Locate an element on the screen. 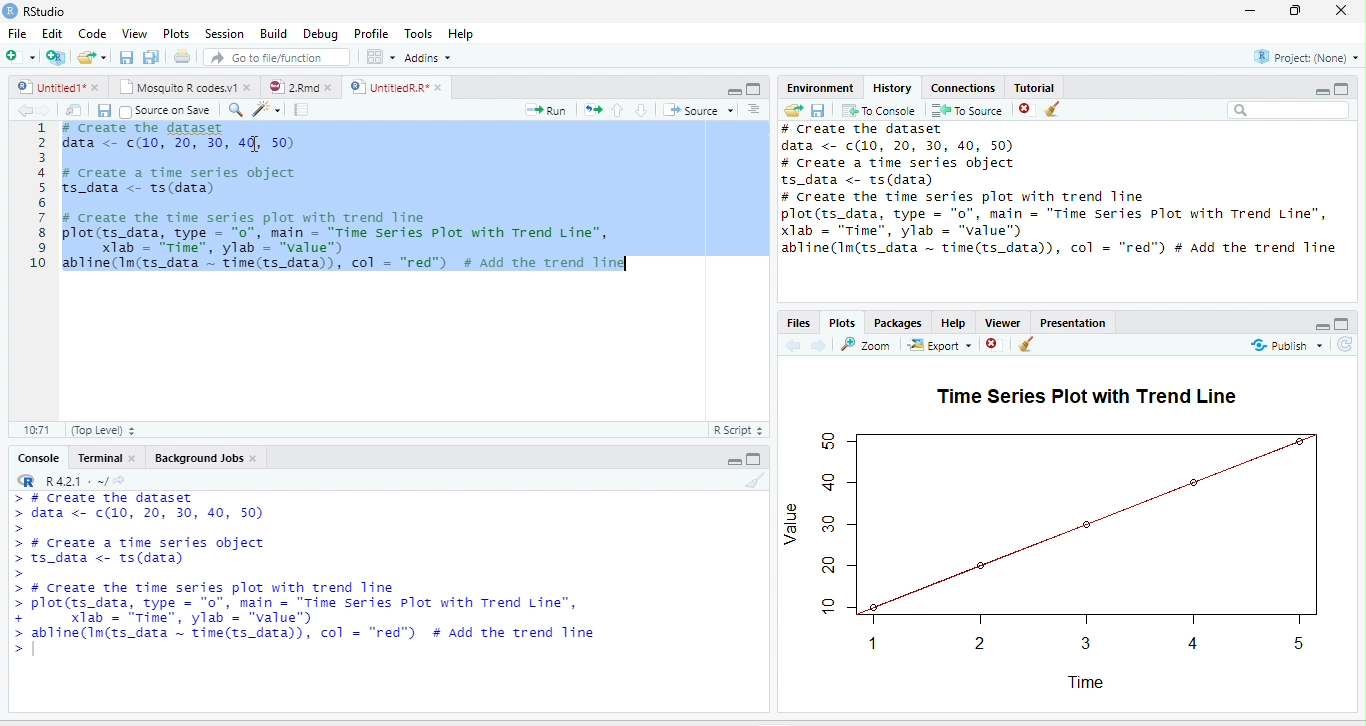 The image size is (1366, 726). R 4.2.1 . ~/ is located at coordinates (76, 479).